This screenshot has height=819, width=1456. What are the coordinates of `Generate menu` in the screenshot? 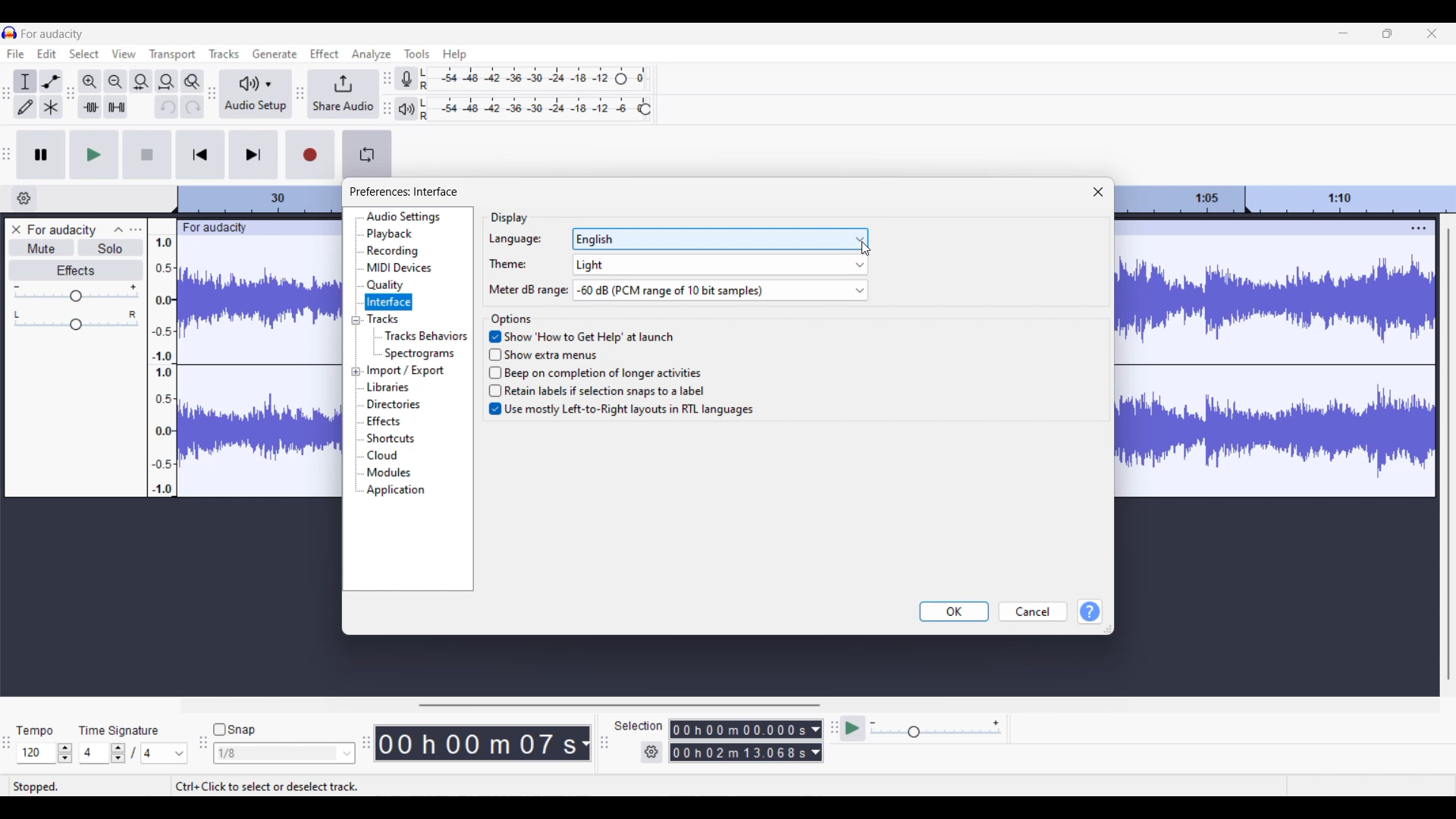 It's located at (275, 54).